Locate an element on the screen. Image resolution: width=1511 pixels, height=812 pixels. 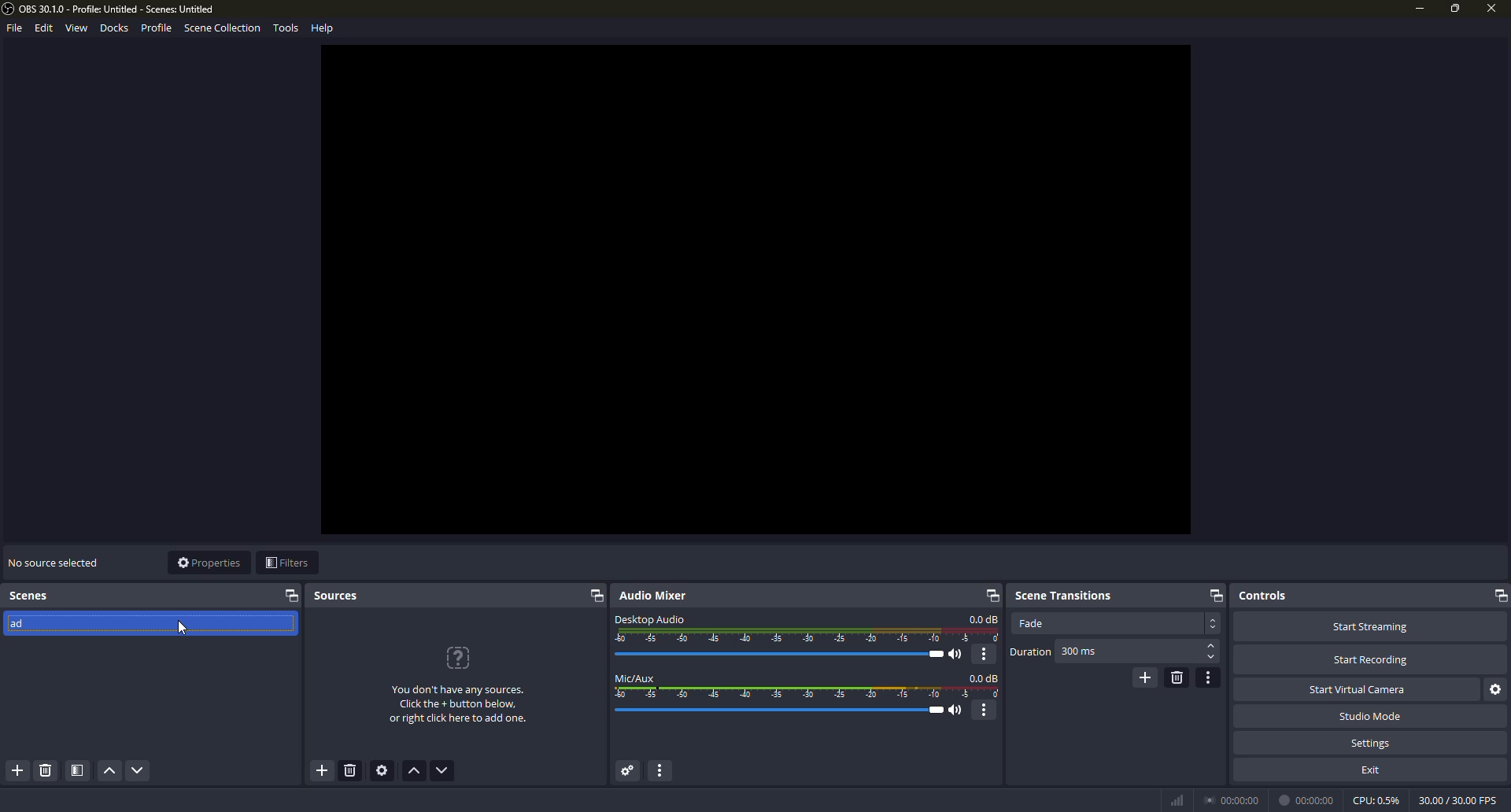
300 ms is located at coordinates (1080, 652).